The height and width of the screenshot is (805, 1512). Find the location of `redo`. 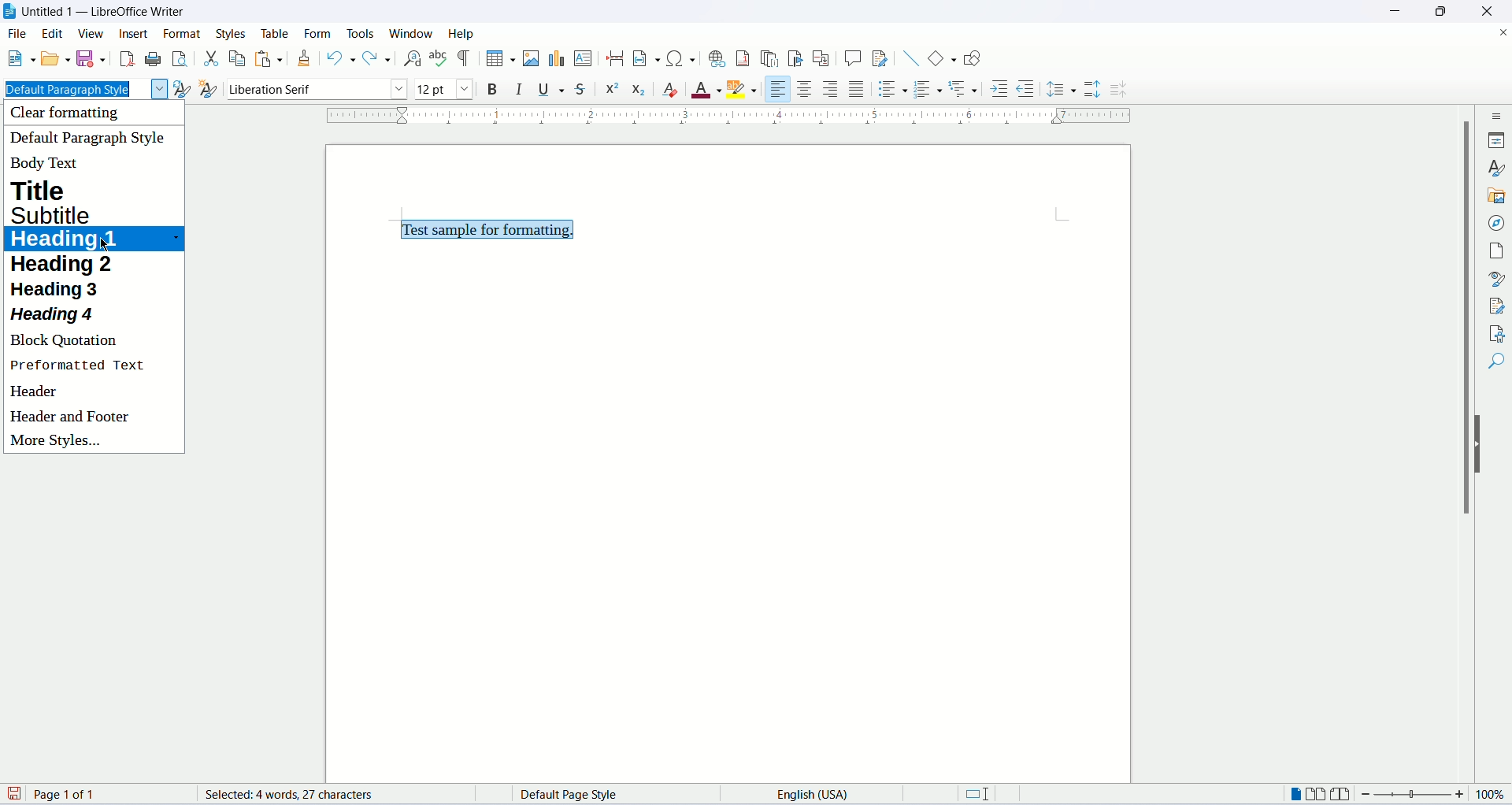

redo is located at coordinates (376, 60).